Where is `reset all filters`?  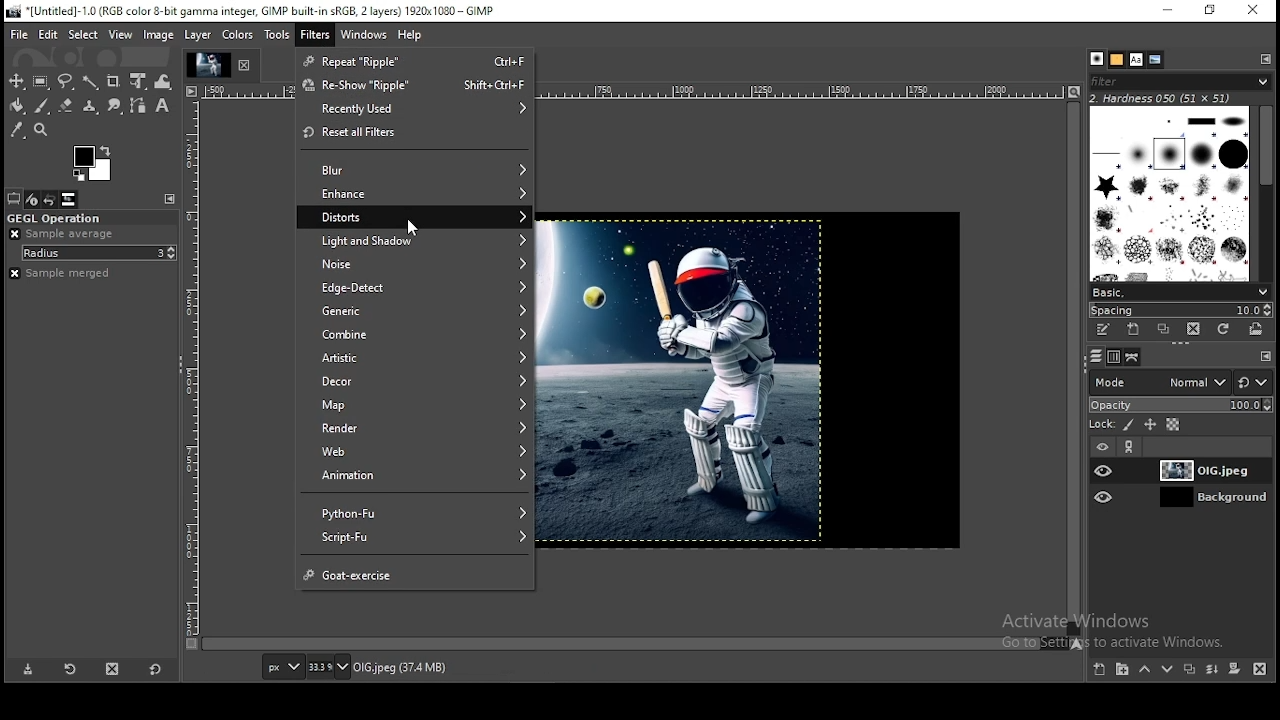
reset all filters is located at coordinates (418, 136).